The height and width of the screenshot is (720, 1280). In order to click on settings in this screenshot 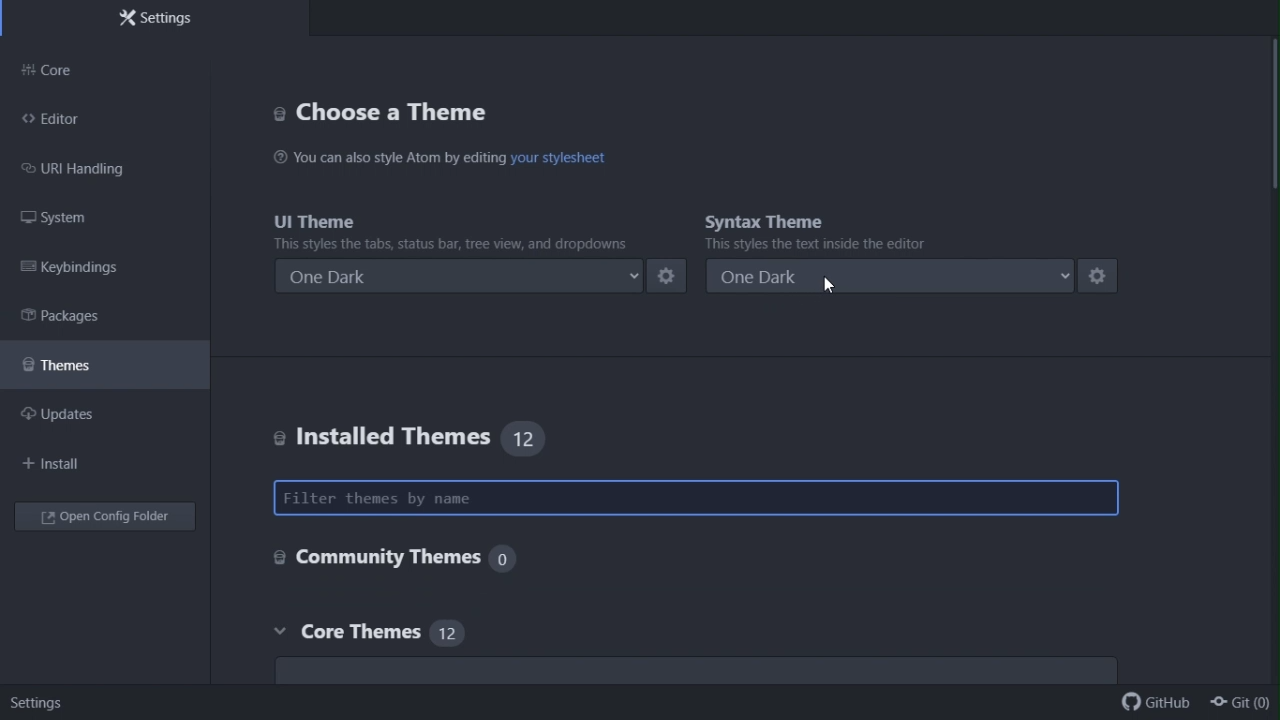, I will do `click(46, 704)`.